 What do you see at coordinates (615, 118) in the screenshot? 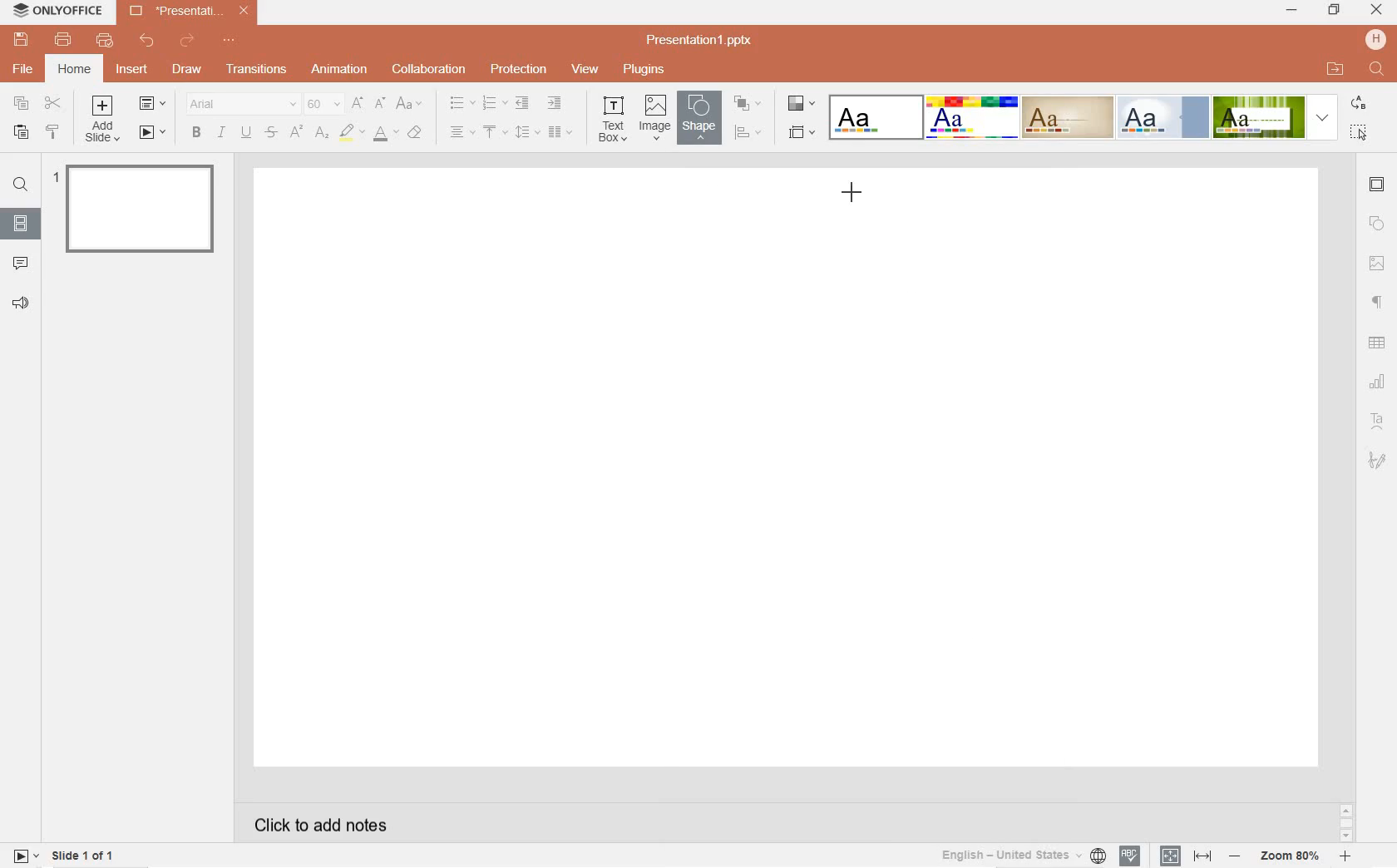
I see `text box` at bounding box center [615, 118].